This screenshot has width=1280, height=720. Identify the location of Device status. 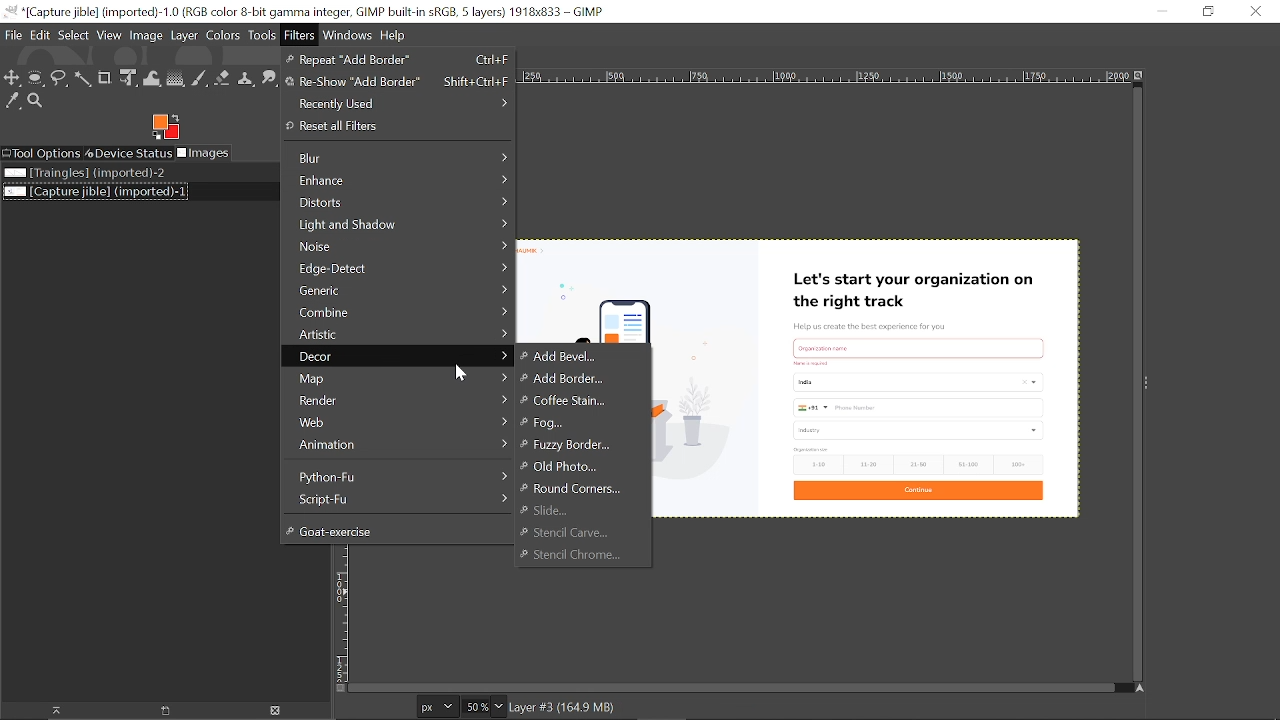
(130, 152).